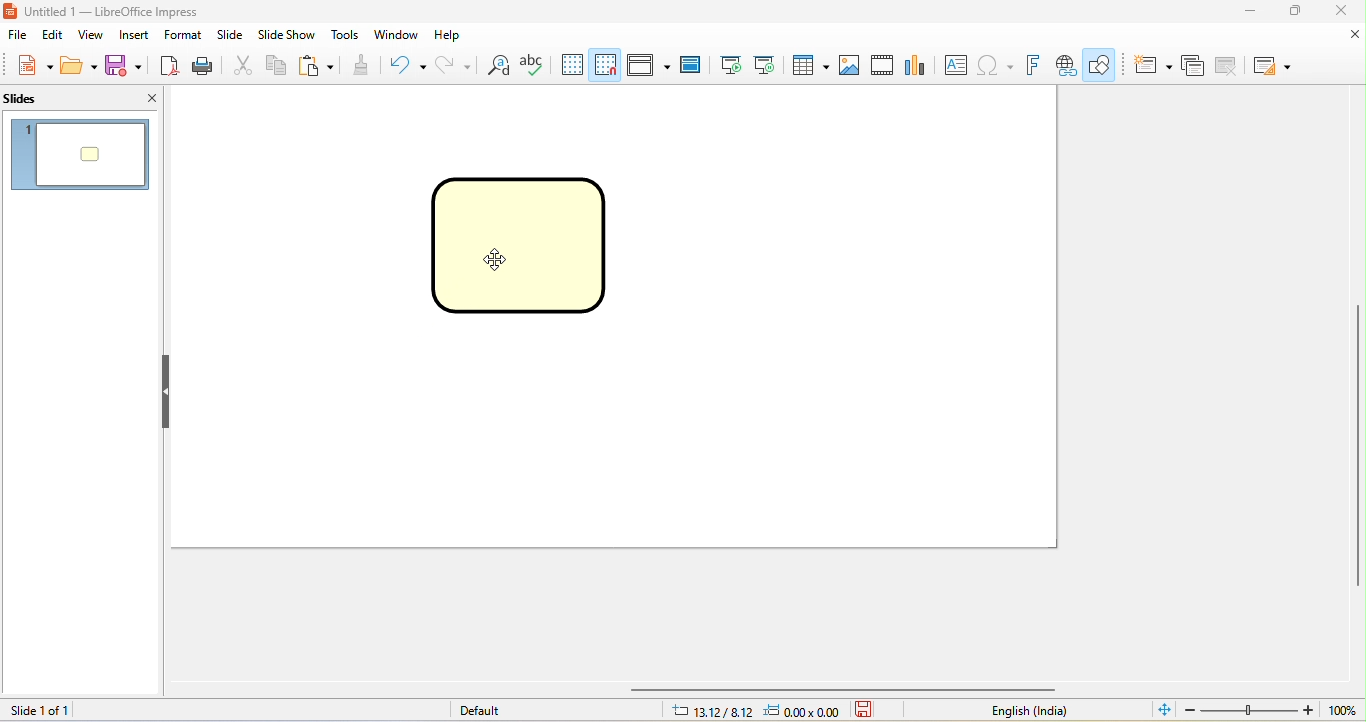  What do you see at coordinates (767, 65) in the screenshot?
I see `start from current slide` at bounding box center [767, 65].